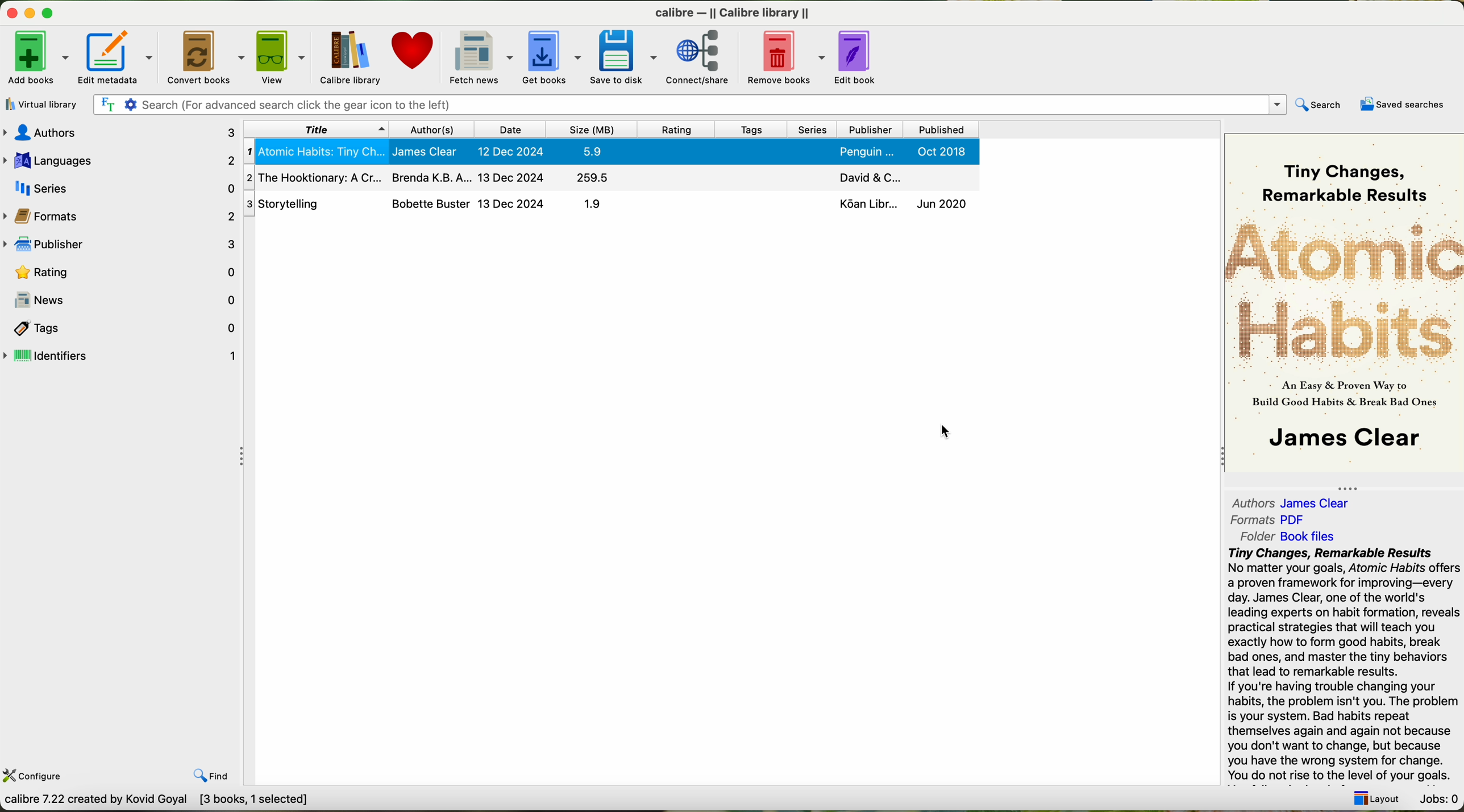 This screenshot has height=812, width=1464. I want to click on view, so click(284, 57).